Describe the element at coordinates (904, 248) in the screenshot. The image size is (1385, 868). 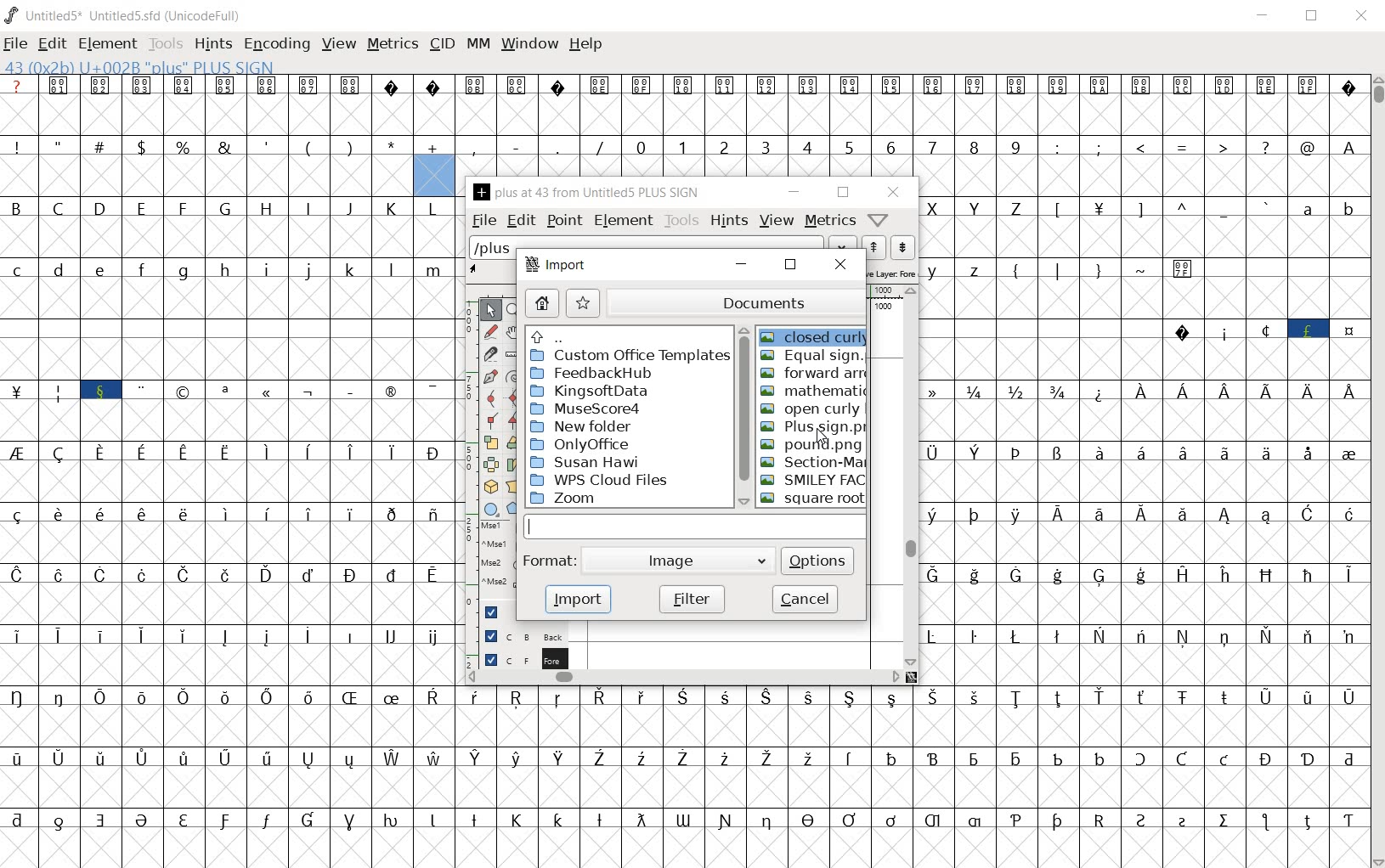
I see `show the previous word on the list` at that location.